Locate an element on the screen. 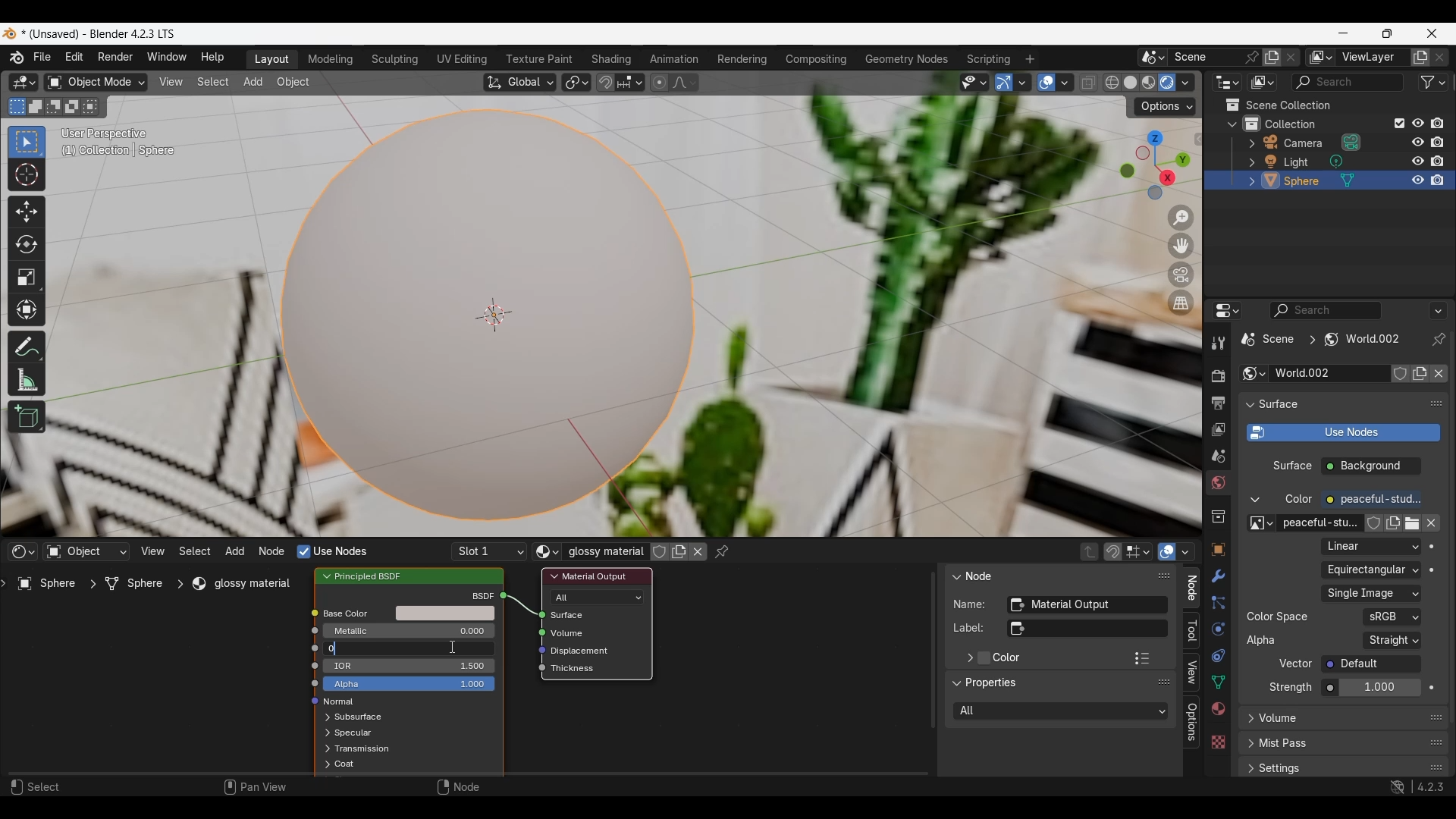 Image resolution: width=1456 pixels, height=819 pixels. Base color options is located at coordinates (445, 613).